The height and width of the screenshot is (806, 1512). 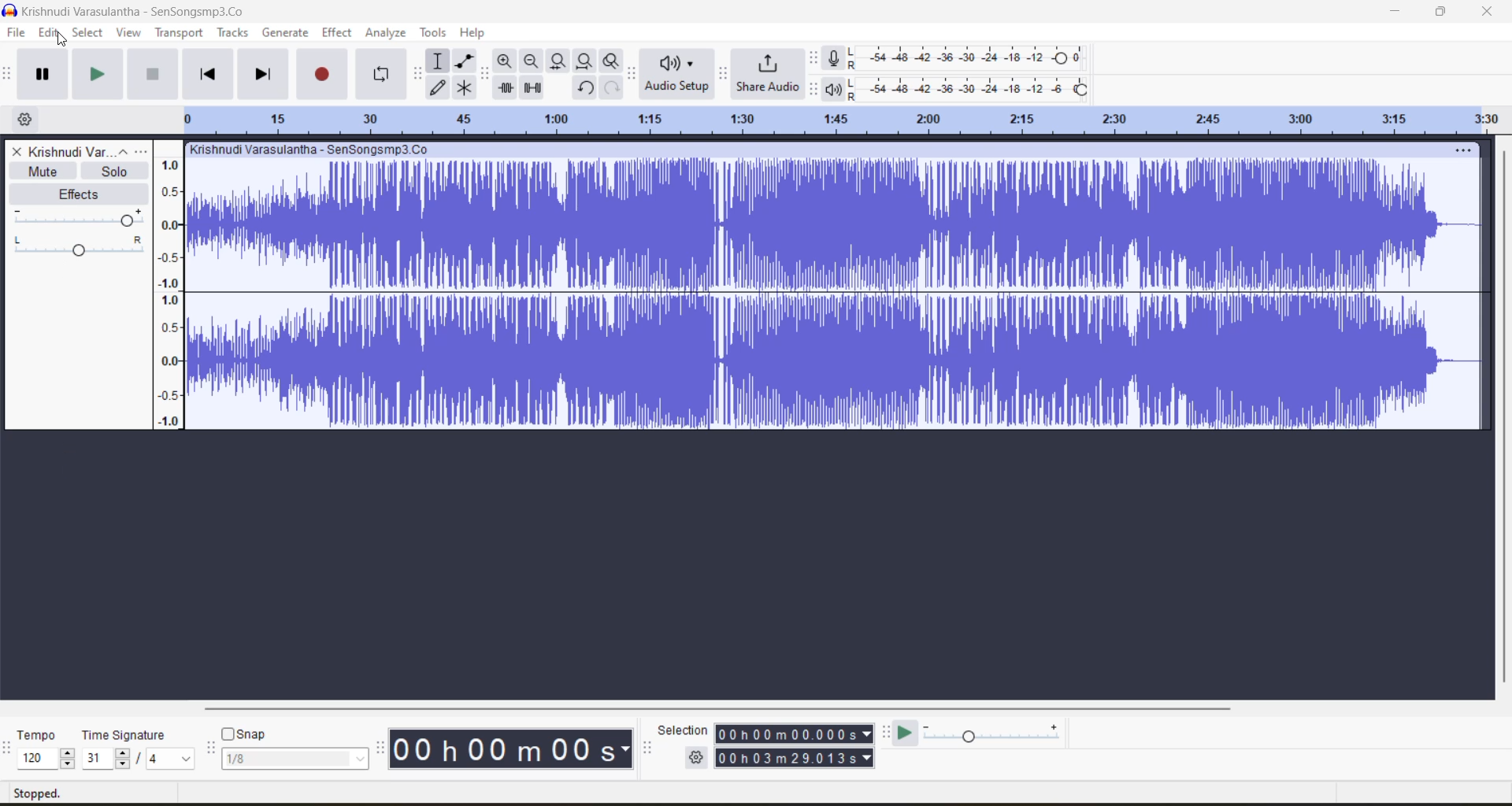 I want to click on help, so click(x=475, y=31).